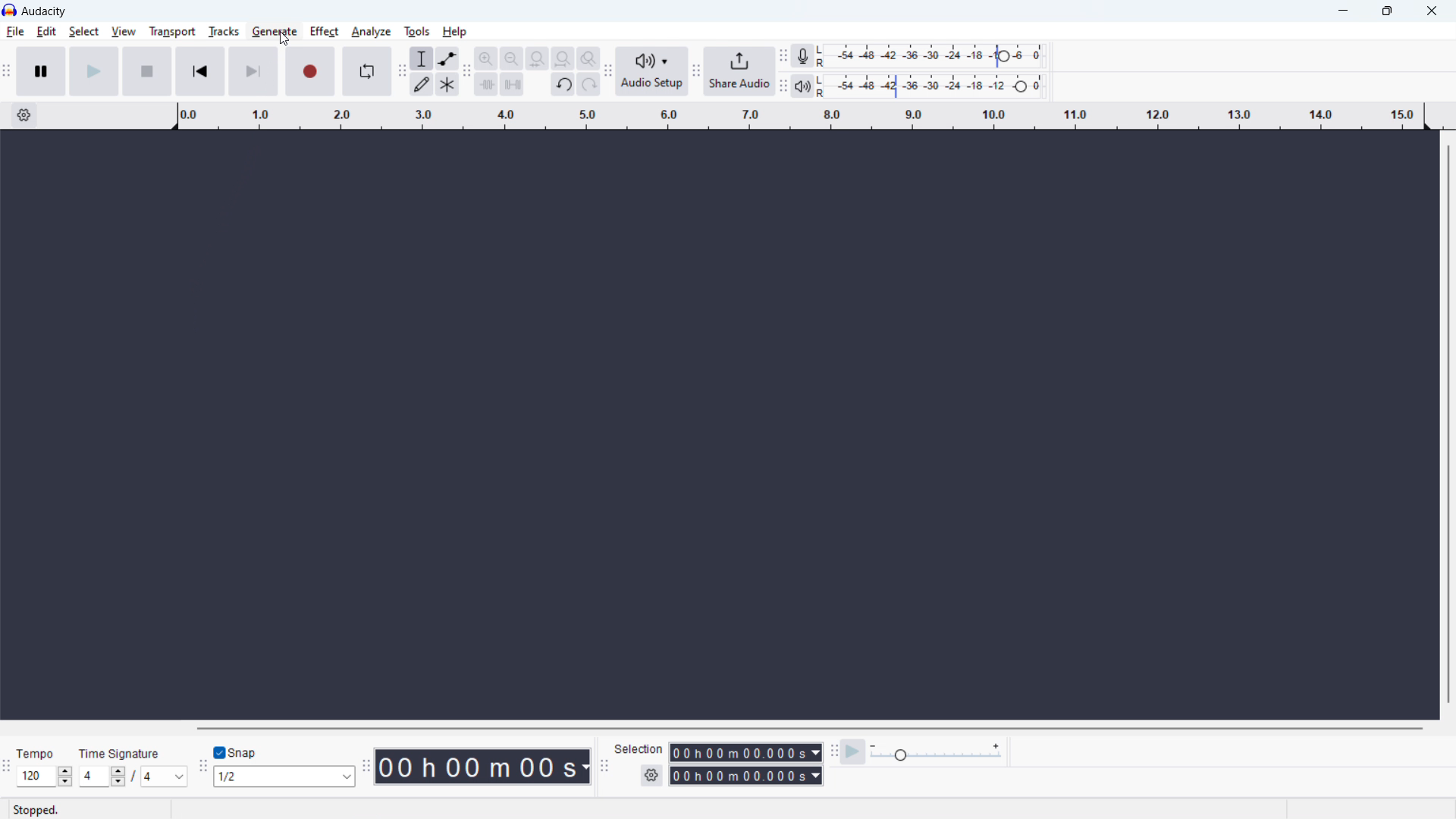 The image size is (1456, 819). I want to click on start time, so click(747, 753).